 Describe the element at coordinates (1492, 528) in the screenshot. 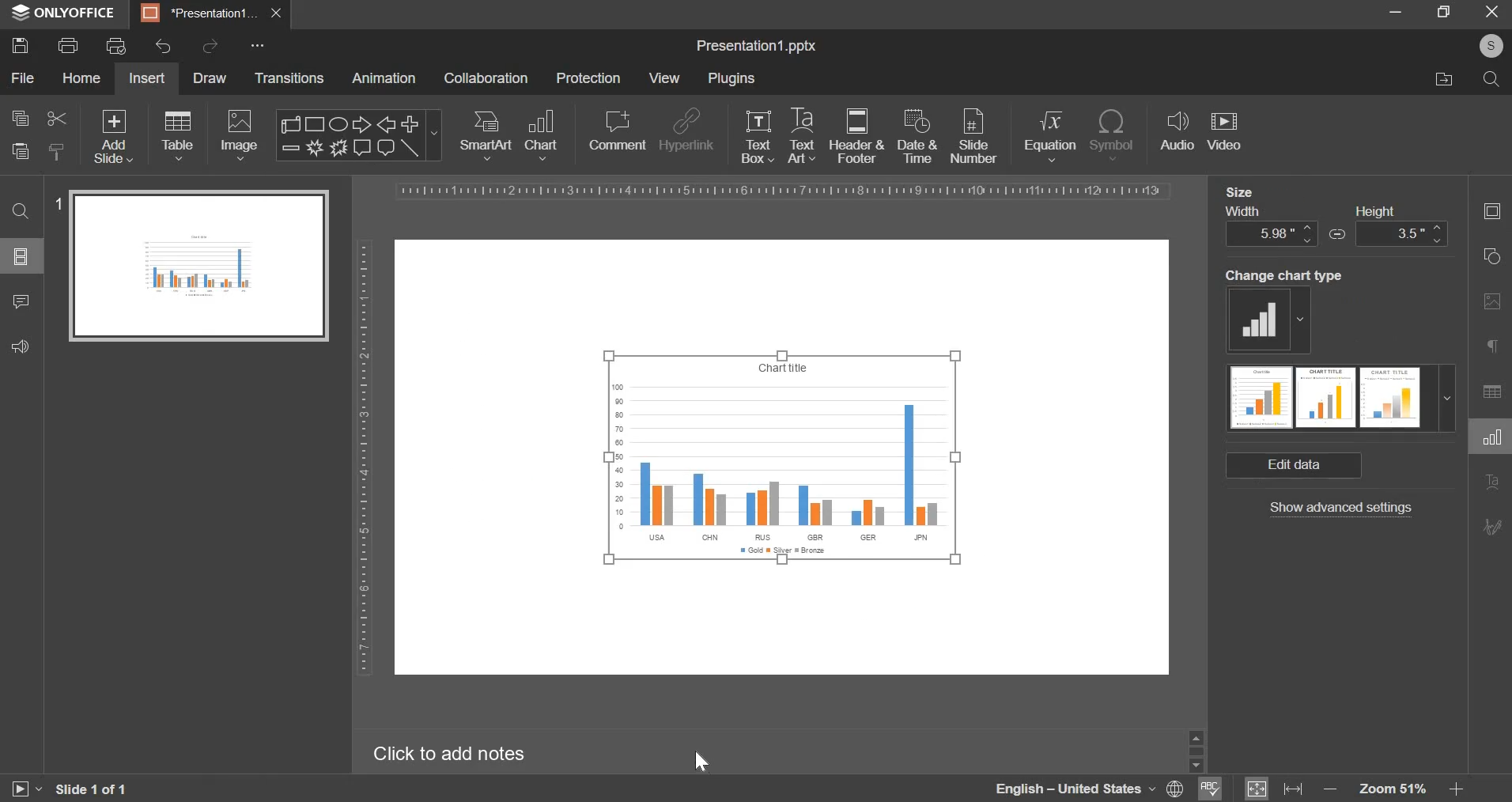

I see `signature` at that location.